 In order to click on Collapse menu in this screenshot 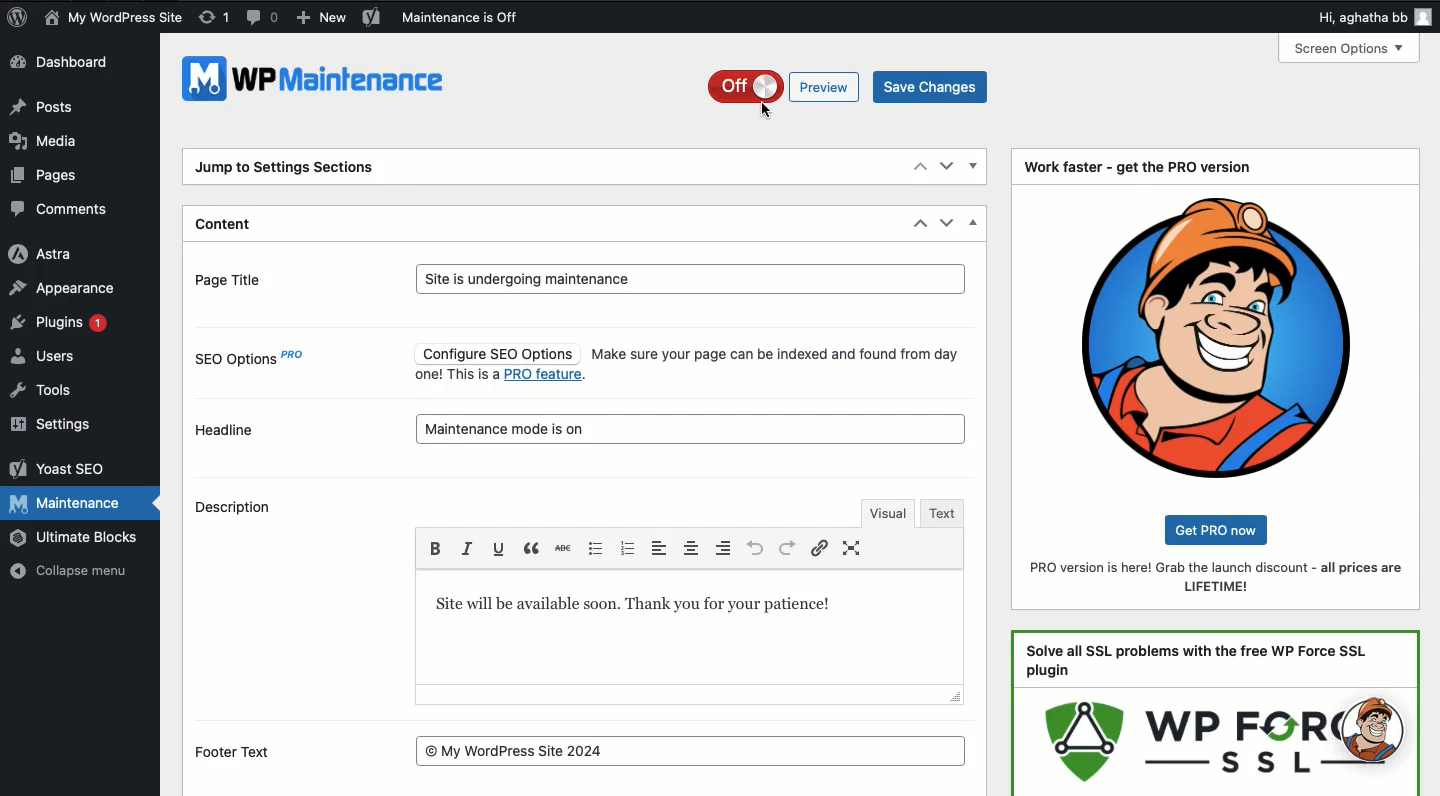, I will do `click(67, 571)`.